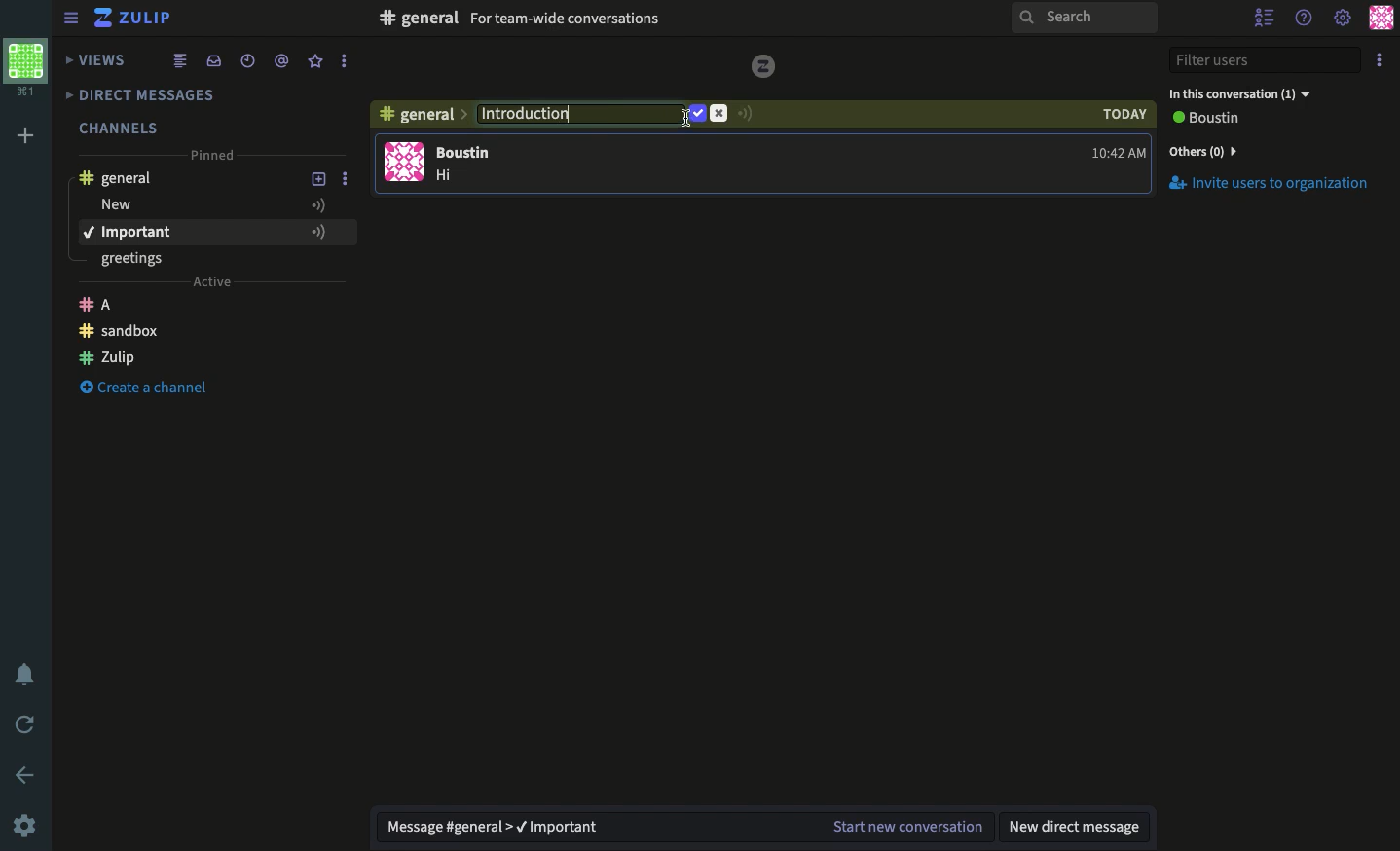  Describe the element at coordinates (24, 773) in the screenshot. I see `Back` at that location.